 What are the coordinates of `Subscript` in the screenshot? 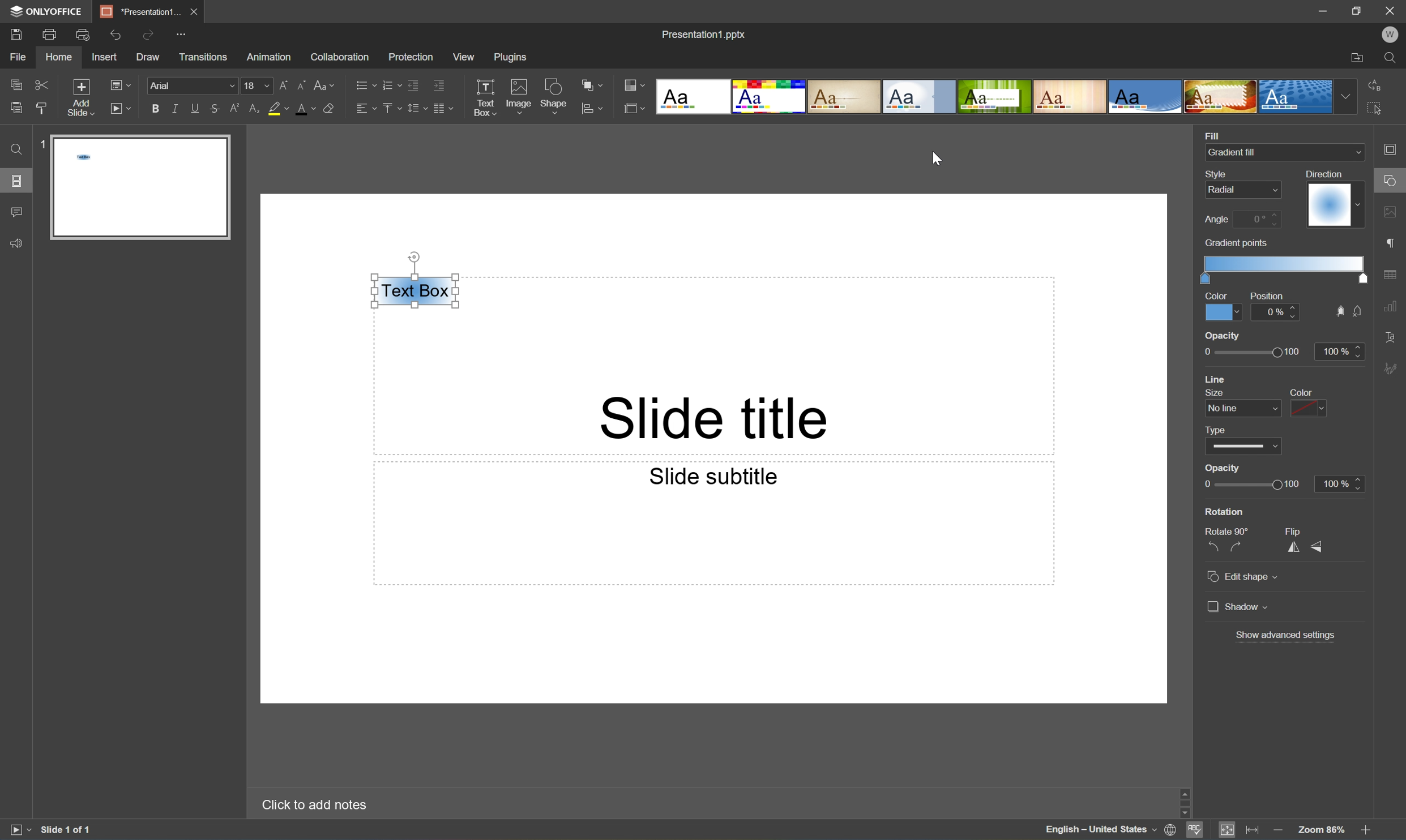 It's located at (254, 108).